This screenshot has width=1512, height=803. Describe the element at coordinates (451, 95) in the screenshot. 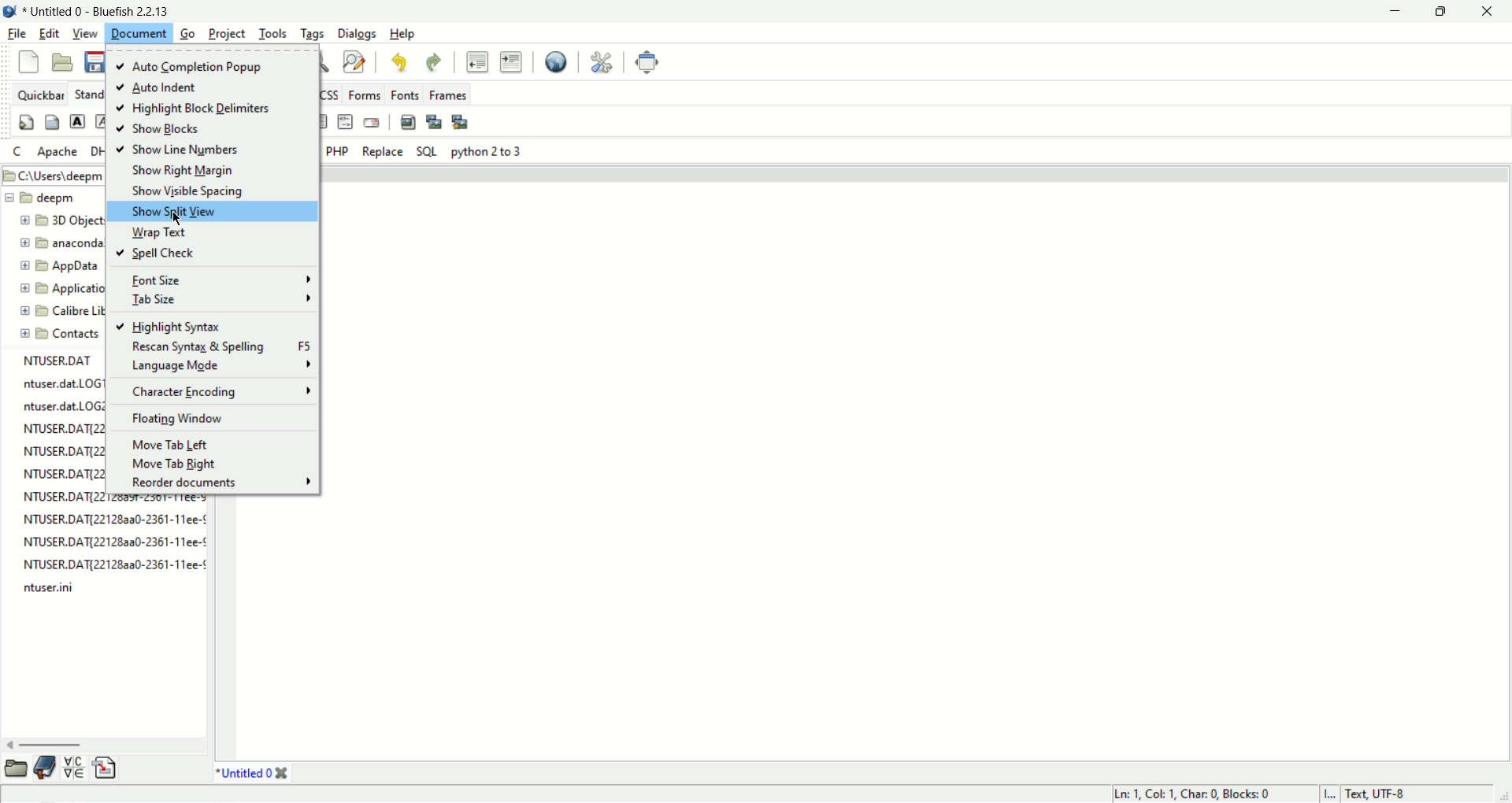

I see `frames` at that location.